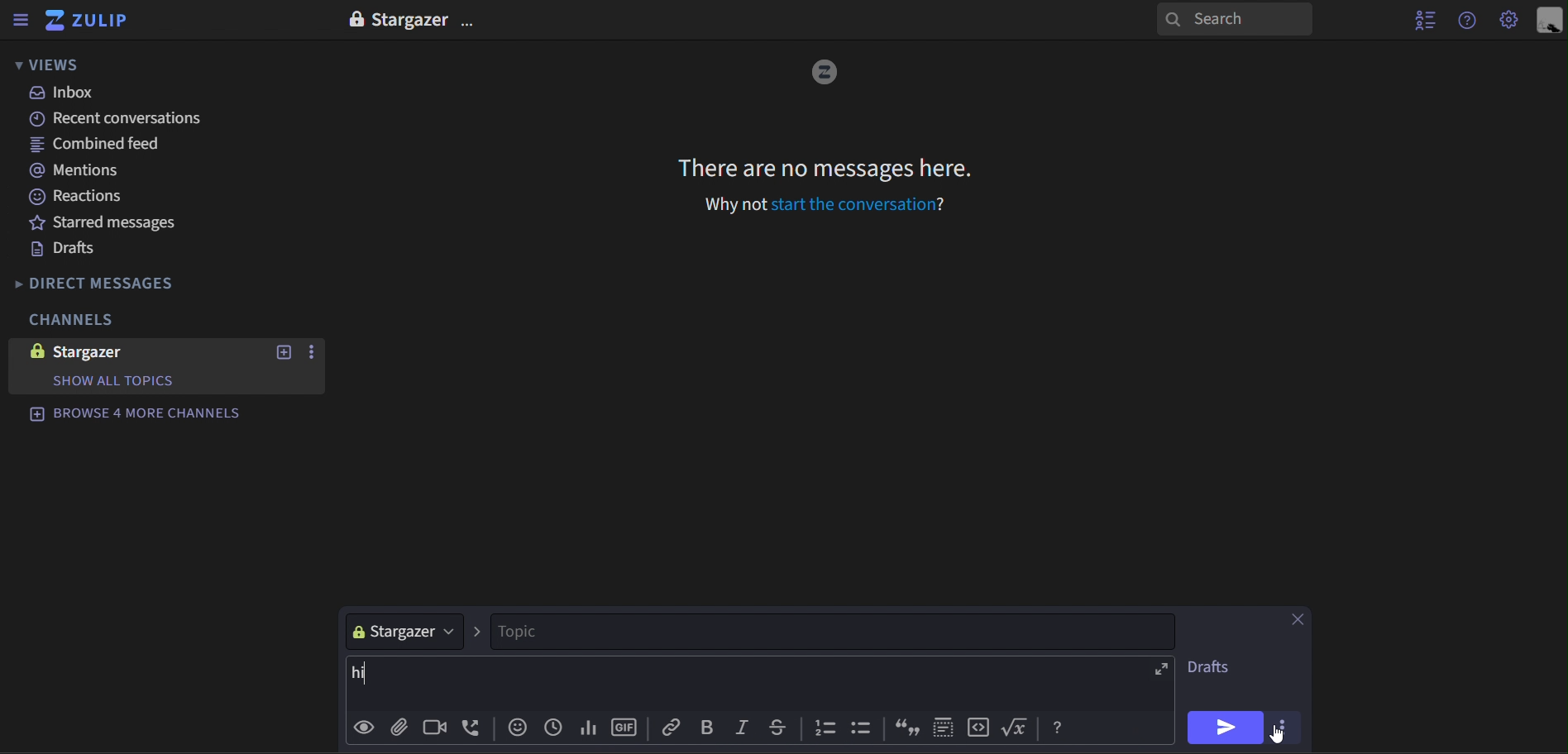 The image size is (1568, 754). I want to click on drafts, so click(111, 252).